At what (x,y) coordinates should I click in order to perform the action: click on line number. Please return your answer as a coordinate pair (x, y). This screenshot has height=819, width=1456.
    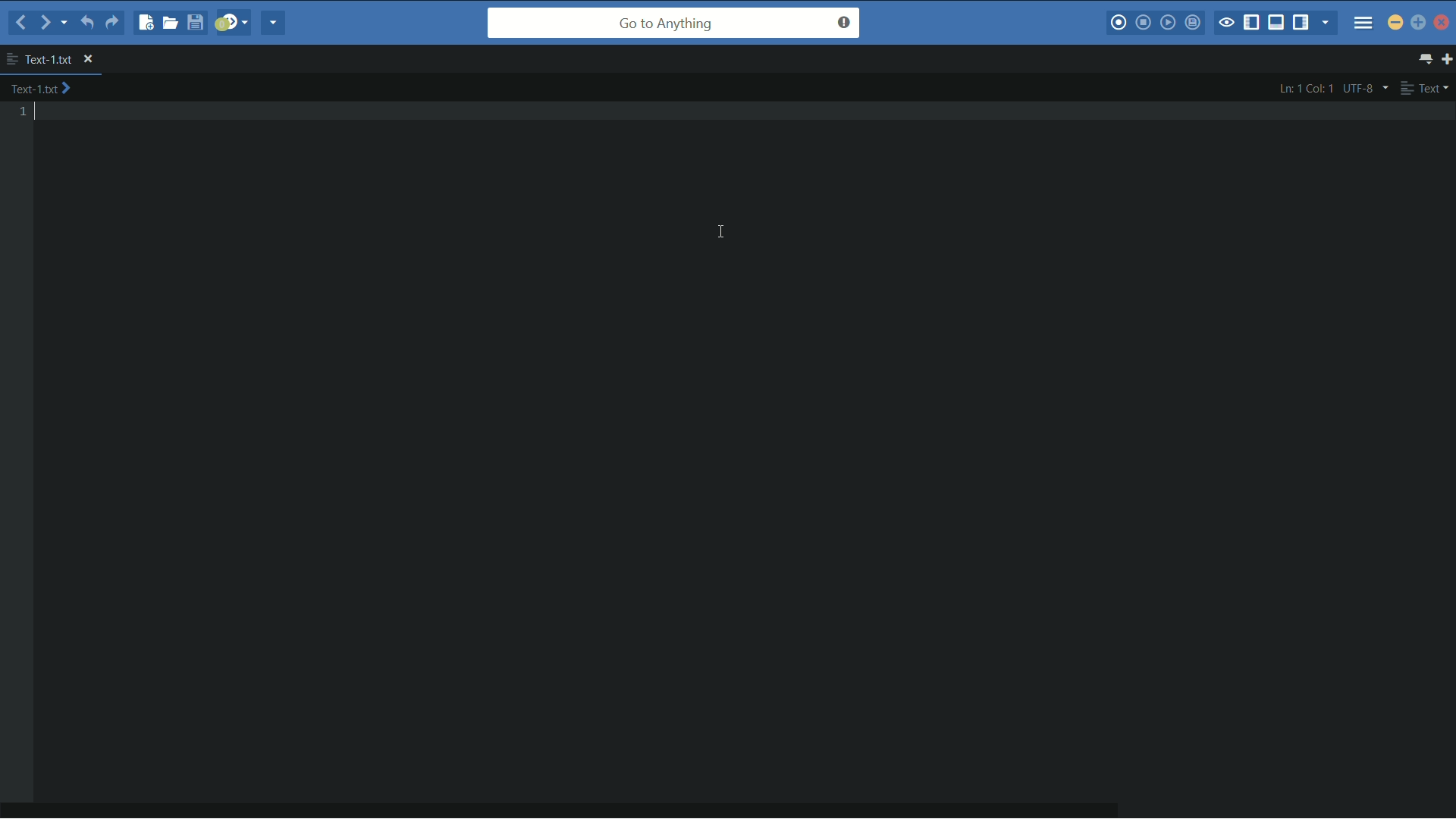
    Looking at the image, I should click on (28, 112).